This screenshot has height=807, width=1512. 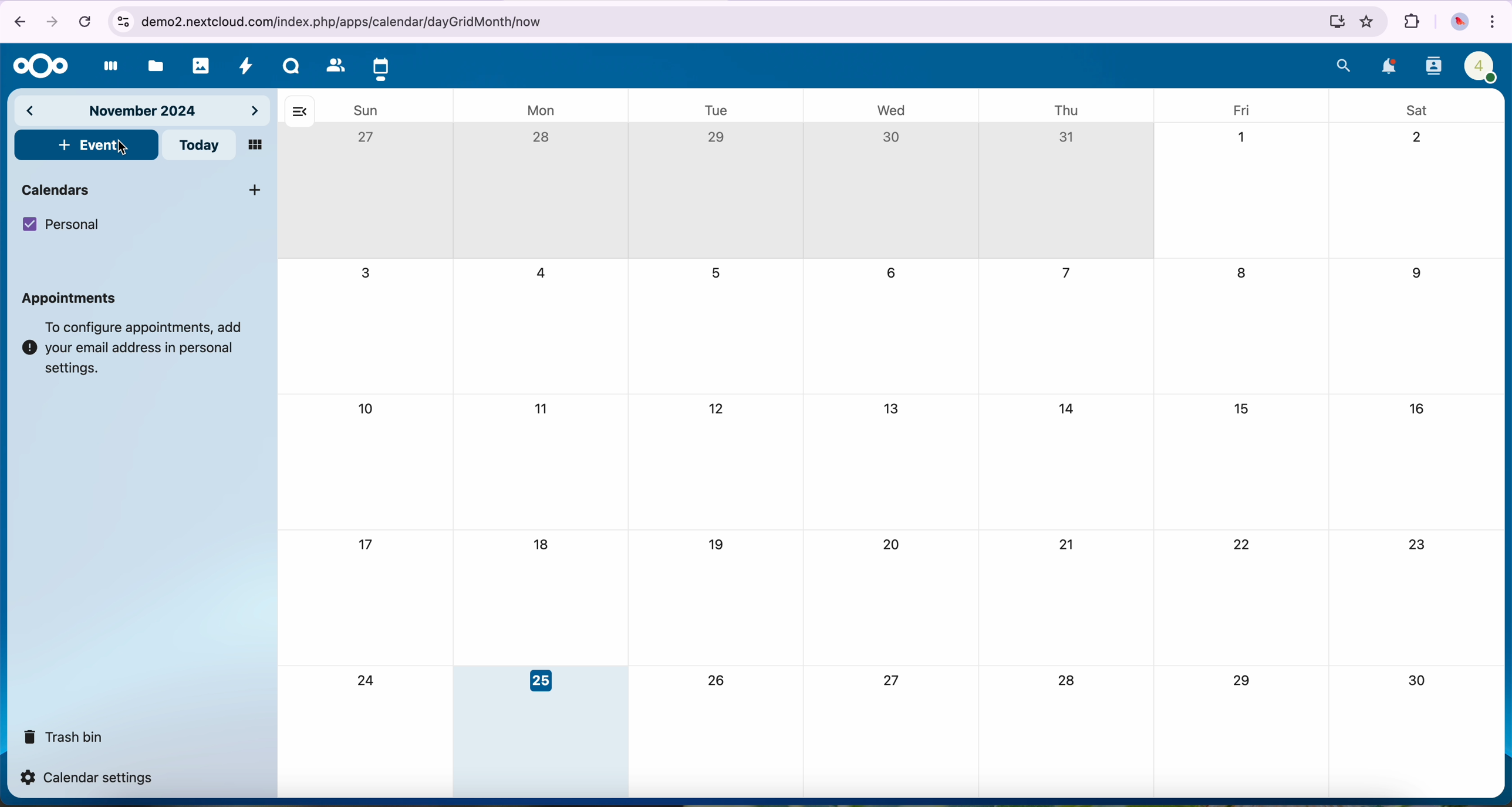 What do you see at coordinates (1419, 408) in the screenshot?
I see `16` at bounding box center [1419, 408].